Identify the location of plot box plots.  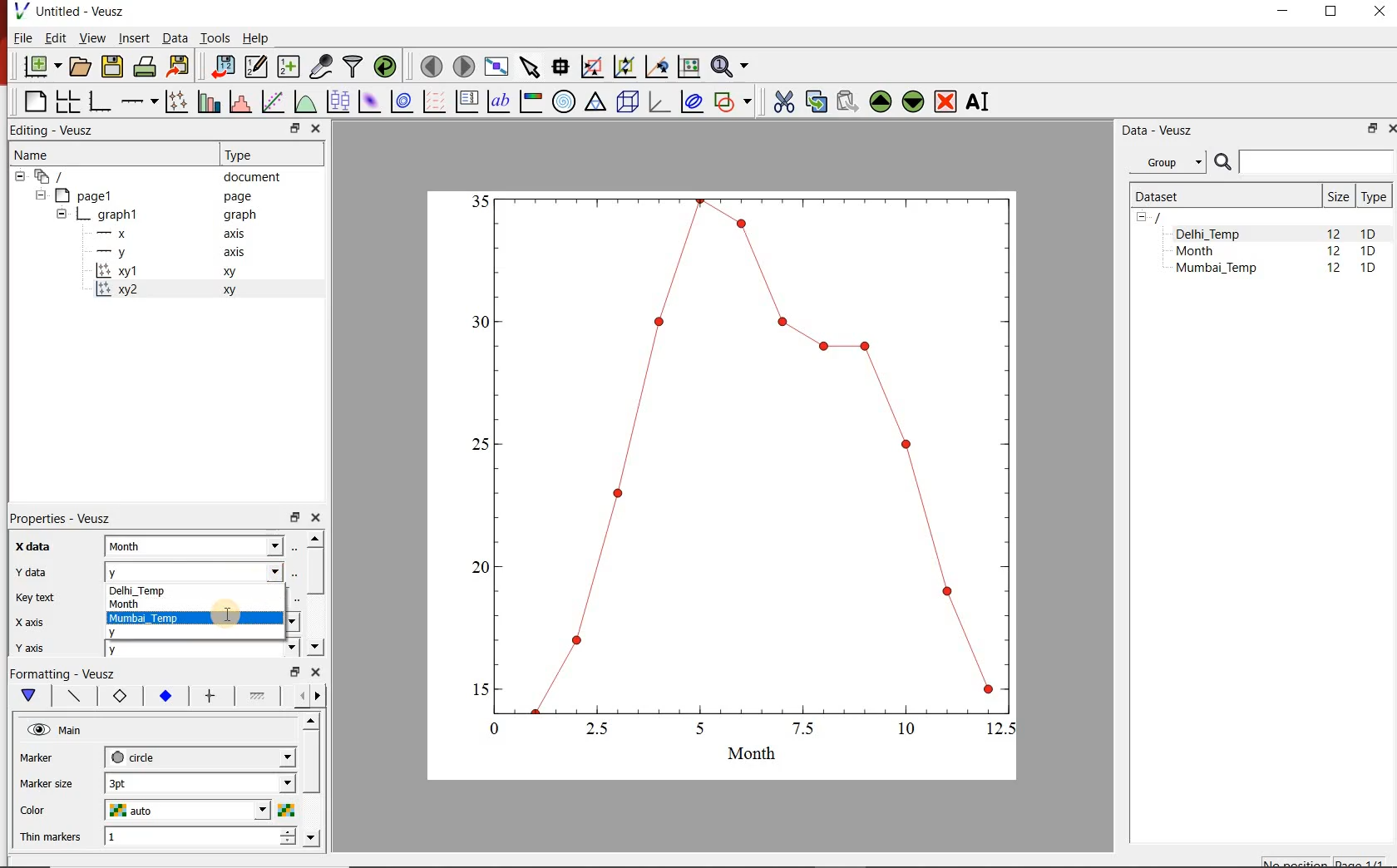
(338, 101).